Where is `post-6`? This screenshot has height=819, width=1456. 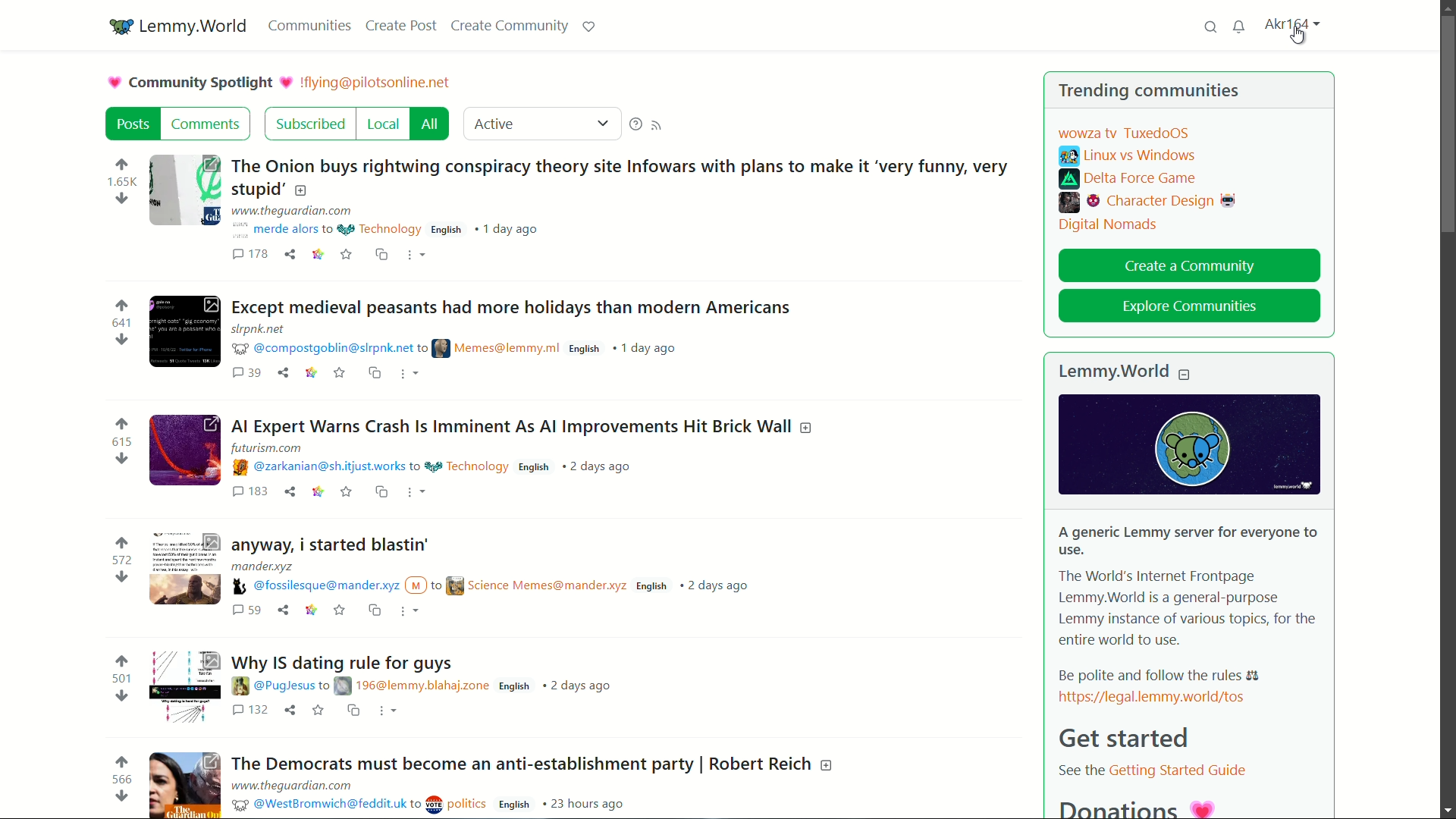
post-6 is located at coordinates (532, 762).